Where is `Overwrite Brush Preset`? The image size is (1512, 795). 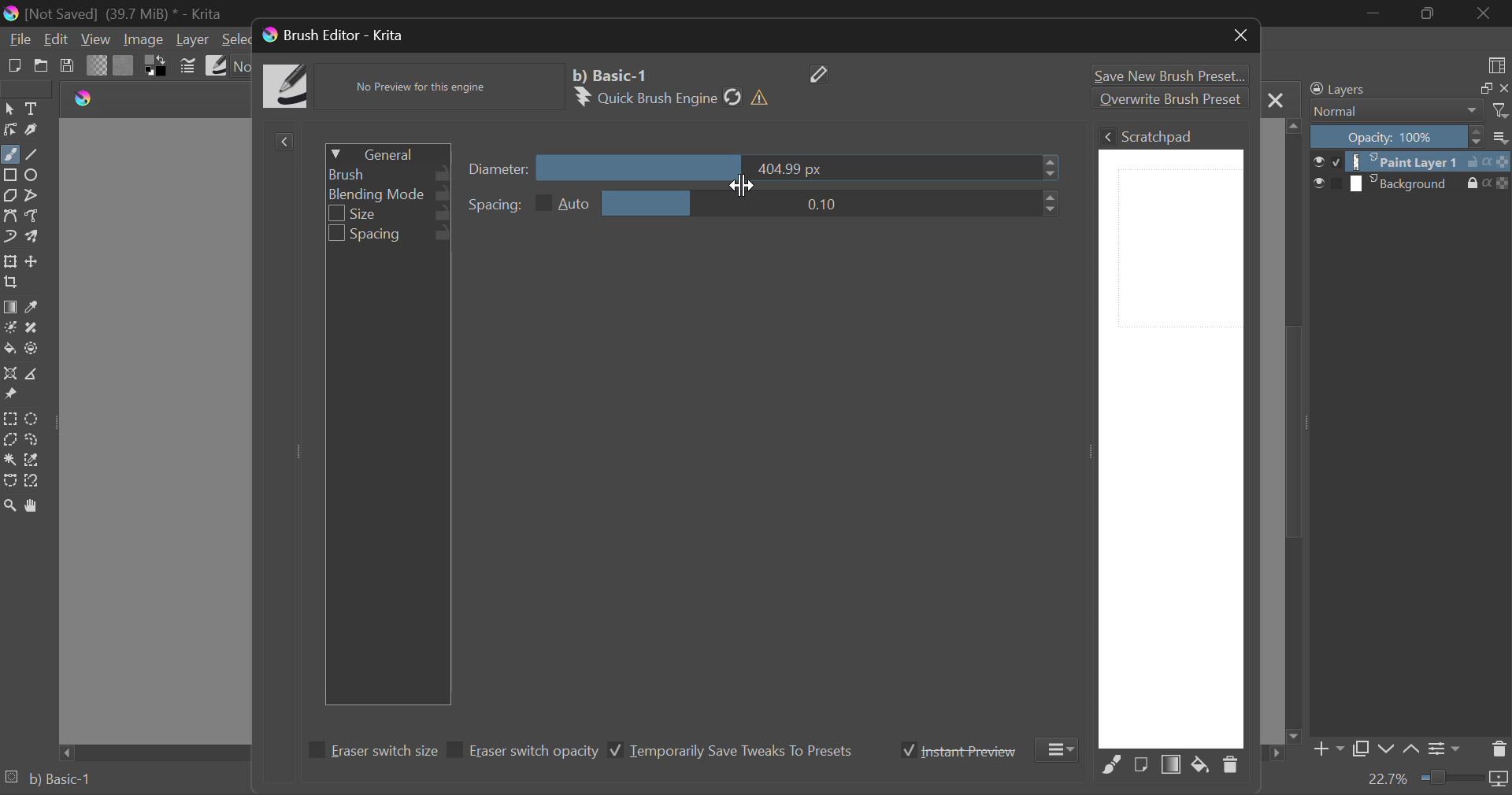
Overwrite Brush Preset is located at coordinates (1169, 98).